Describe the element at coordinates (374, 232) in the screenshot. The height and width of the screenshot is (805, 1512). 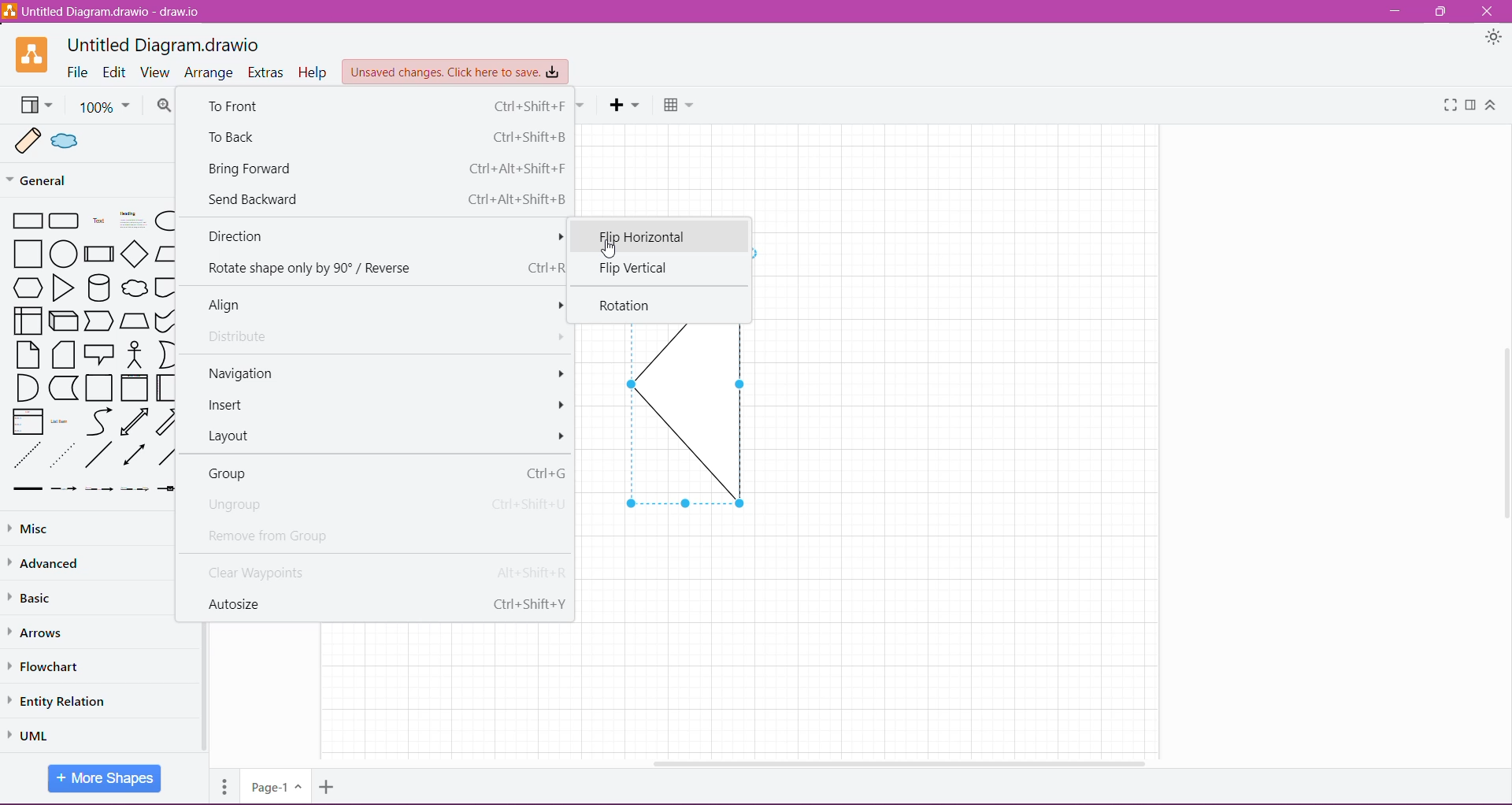
I see `Direction` at that location.